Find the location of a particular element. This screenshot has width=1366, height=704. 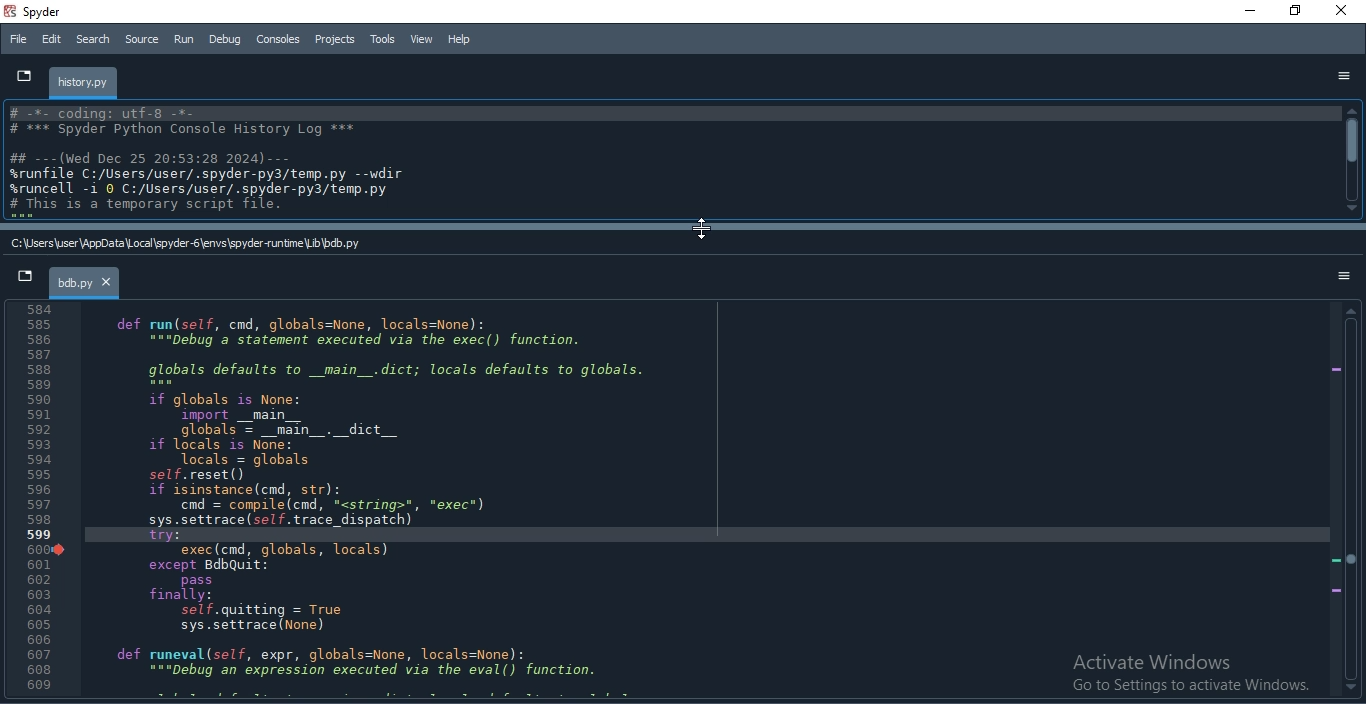

code is located at coordinates (385, 499).